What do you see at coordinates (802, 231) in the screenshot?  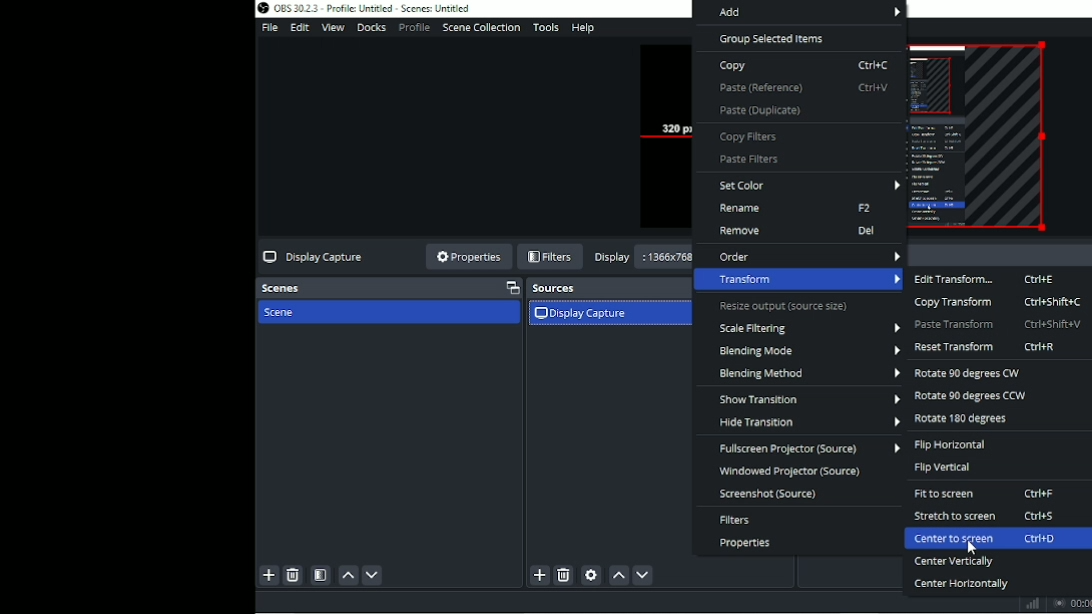 I see `Remove` at bounding box center [802, 231].